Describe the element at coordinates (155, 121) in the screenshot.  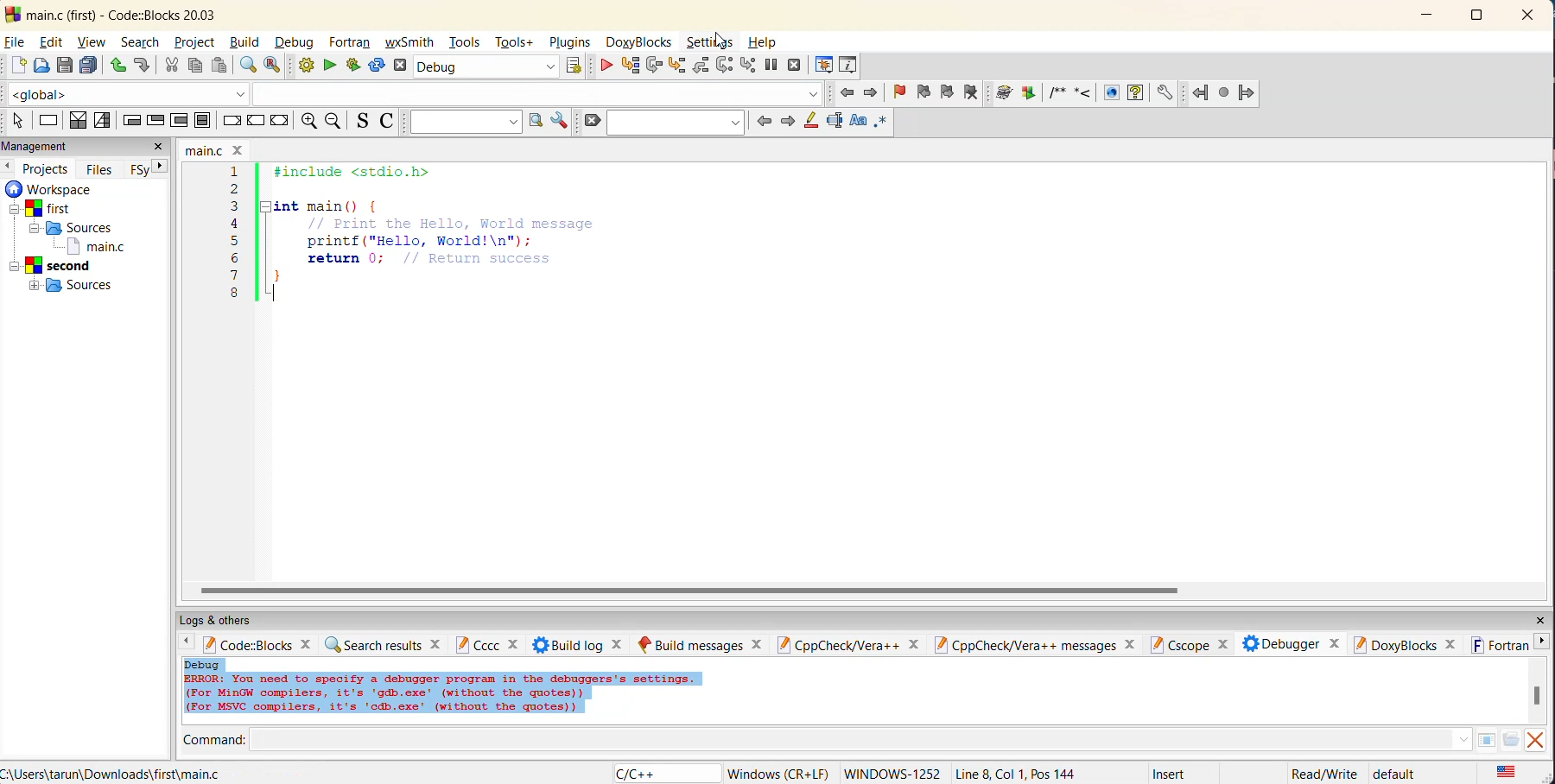
I see `exit condition loop` at that location.